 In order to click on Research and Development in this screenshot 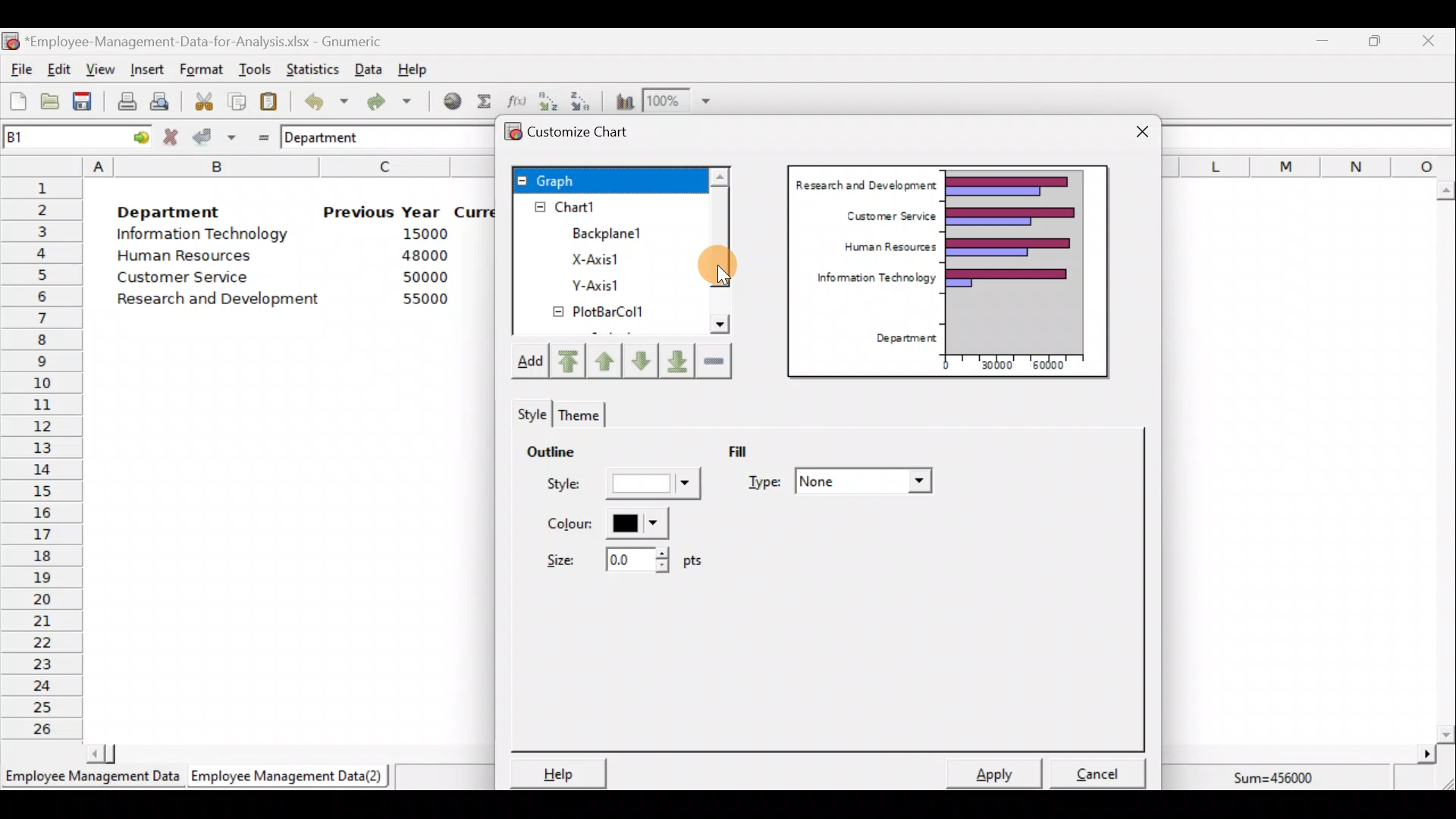, I will do `click(224, 301)`.